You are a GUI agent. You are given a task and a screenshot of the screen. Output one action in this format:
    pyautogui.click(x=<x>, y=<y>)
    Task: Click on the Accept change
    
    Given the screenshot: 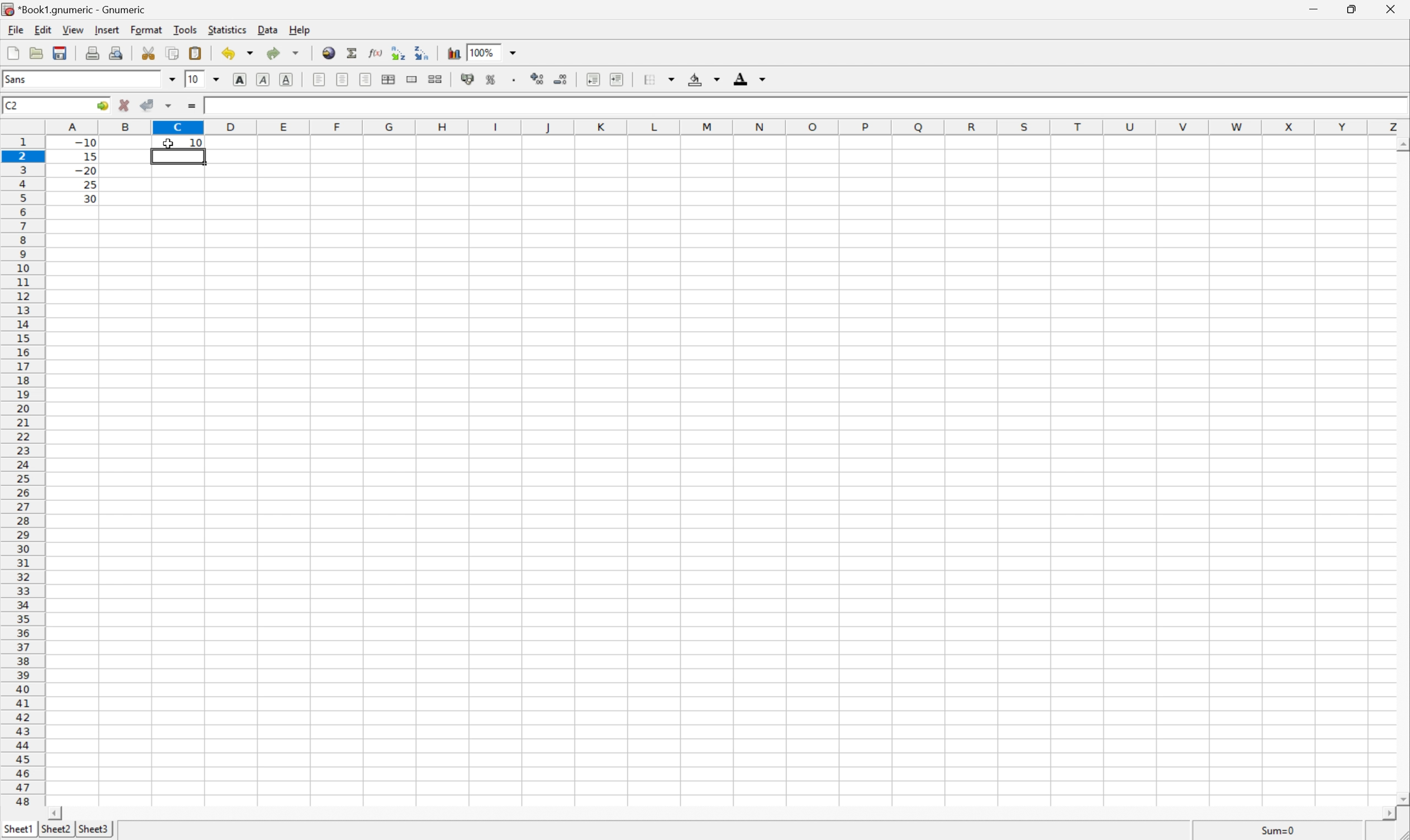 What is the action you would take?
    pyautogui.click(x=148, y=105)
    